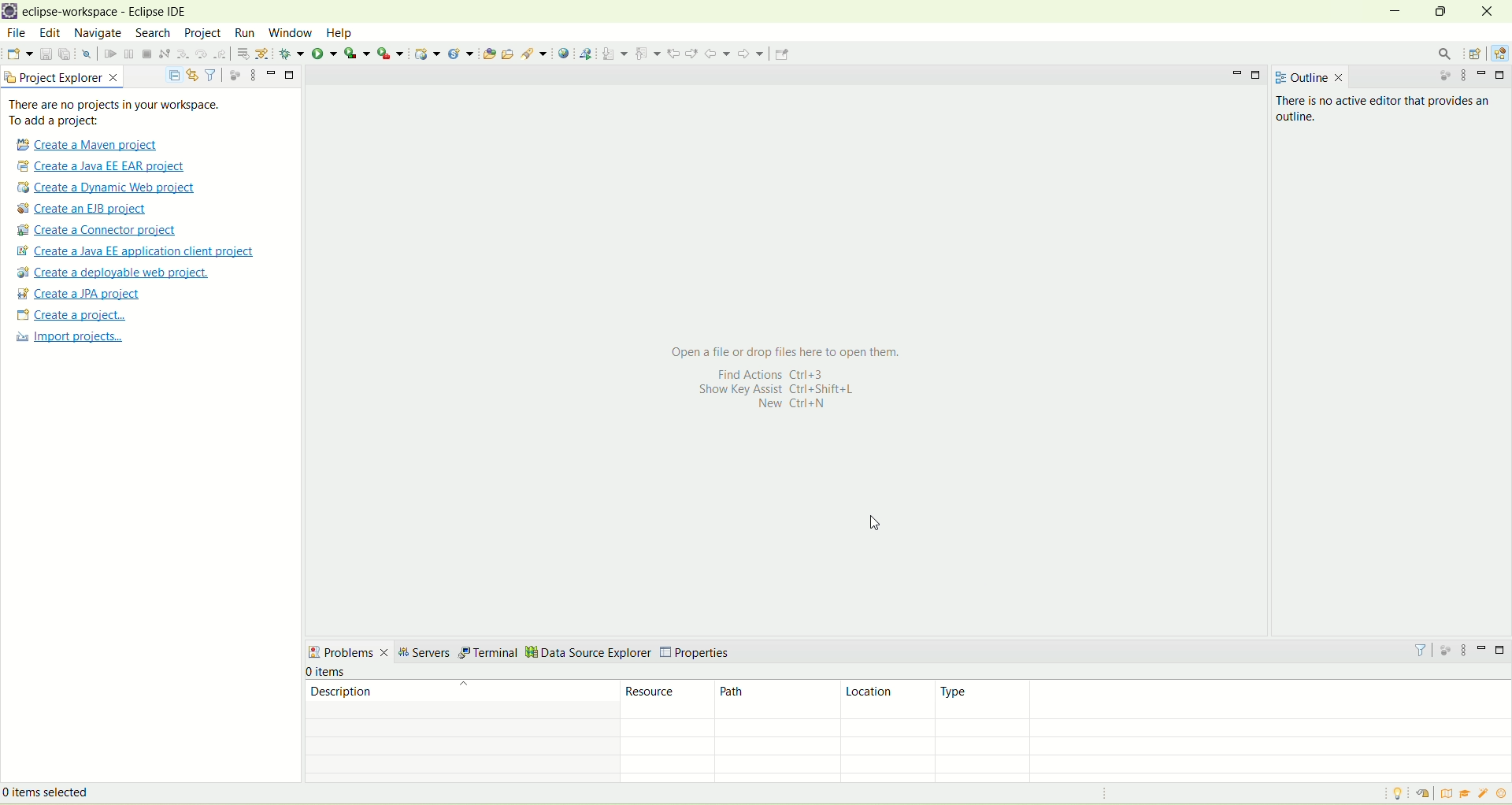  Describe the element at coordinates (70, 791) in the screenshot. I see `items selected` at that location.